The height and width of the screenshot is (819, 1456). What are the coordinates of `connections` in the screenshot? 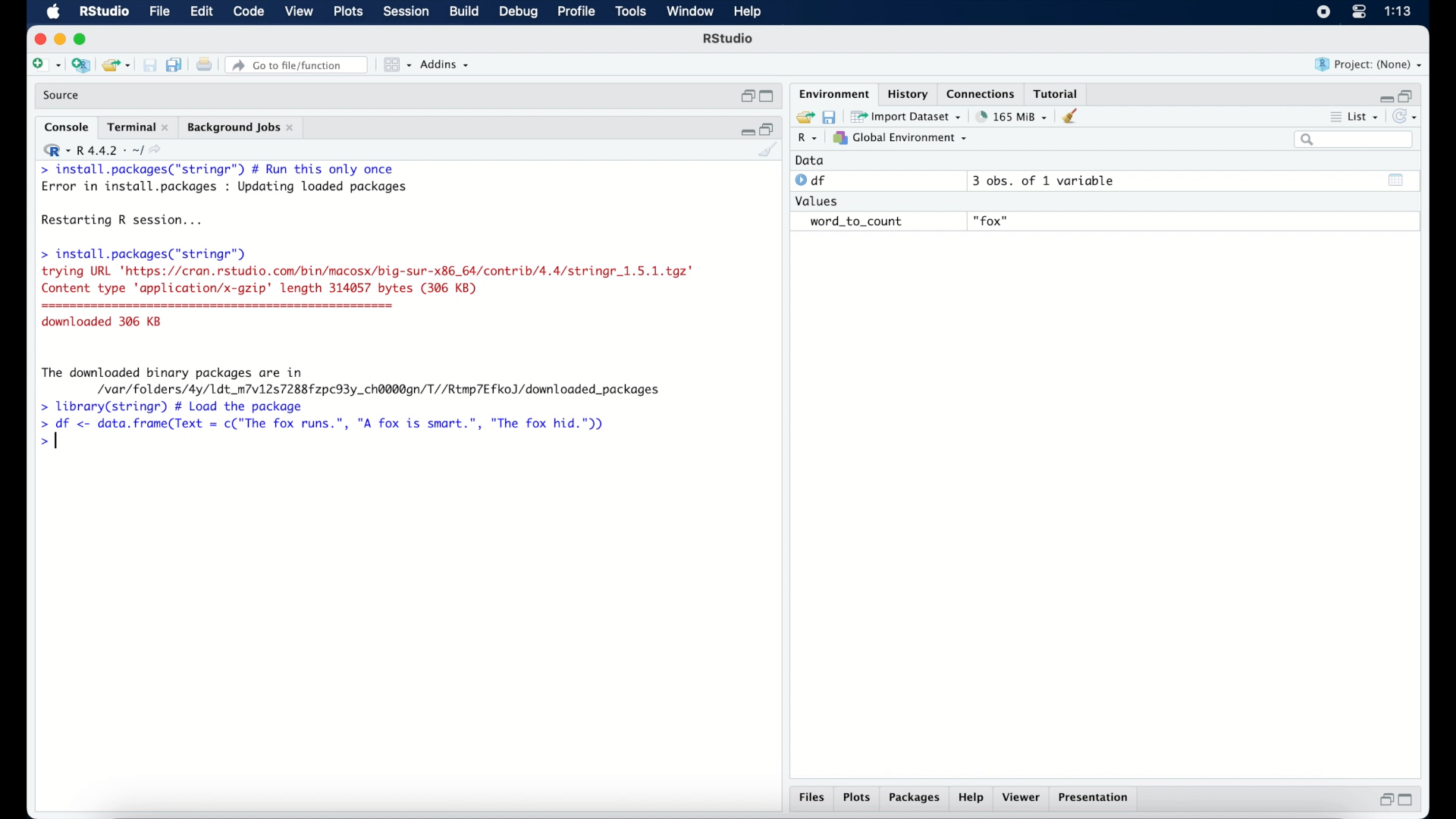 It's located at (983, 93).